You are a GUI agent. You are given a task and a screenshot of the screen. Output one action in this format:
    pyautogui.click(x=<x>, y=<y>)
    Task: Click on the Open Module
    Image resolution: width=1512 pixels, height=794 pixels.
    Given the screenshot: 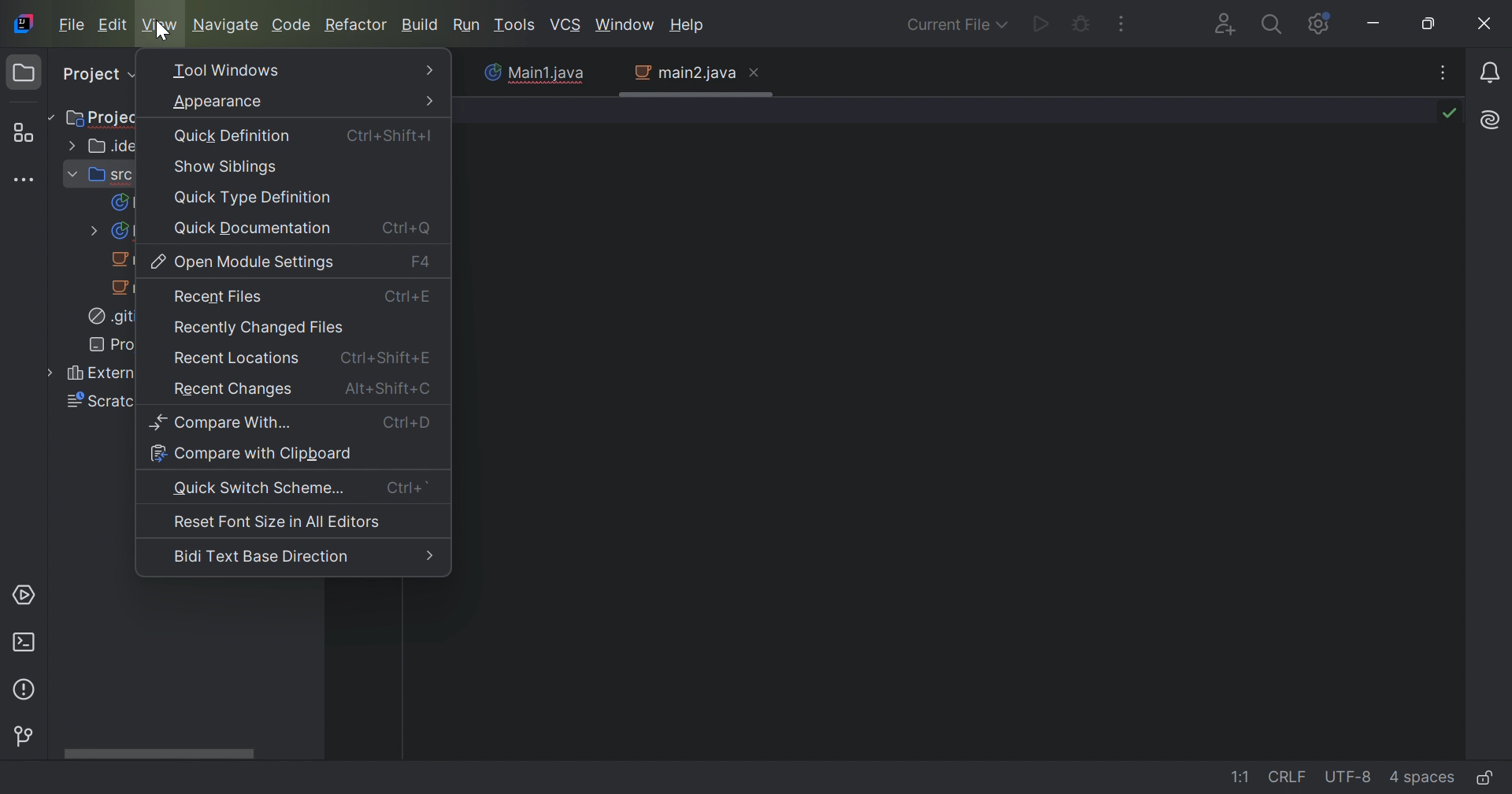 What is the action you would take?
    pyautogui.click(x=245, y=262)
    